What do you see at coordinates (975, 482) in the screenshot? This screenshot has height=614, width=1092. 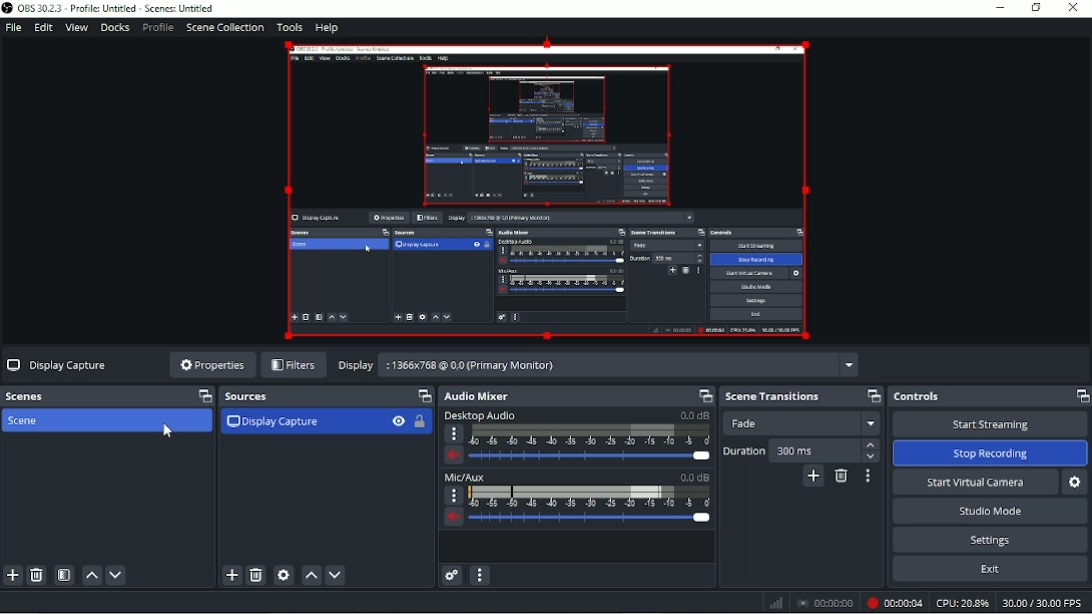 I see `Start virtual camera` at bounding box center [975, 482].